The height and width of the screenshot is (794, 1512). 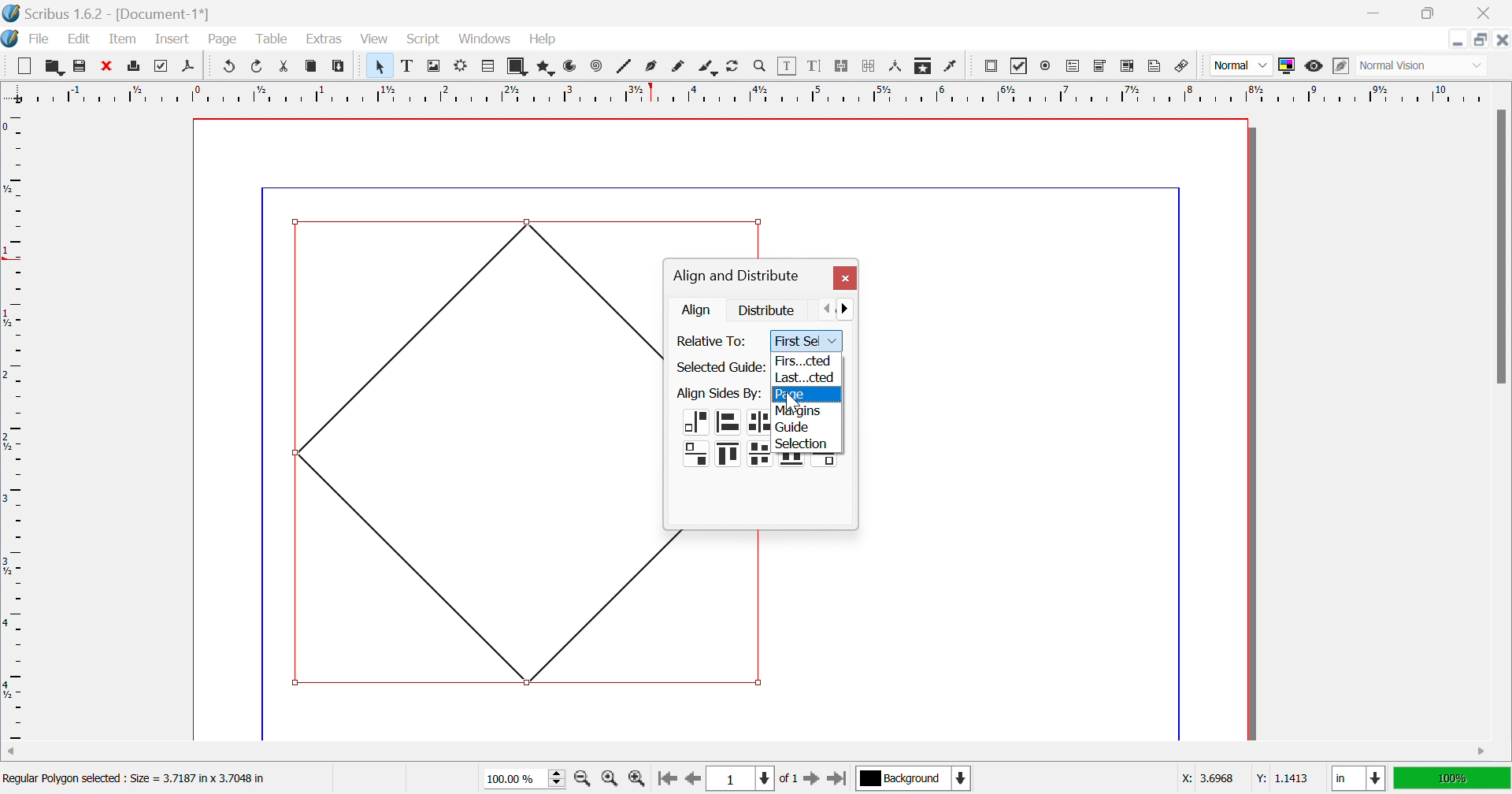 I want to click on Edit, so click(x=83, y=40).